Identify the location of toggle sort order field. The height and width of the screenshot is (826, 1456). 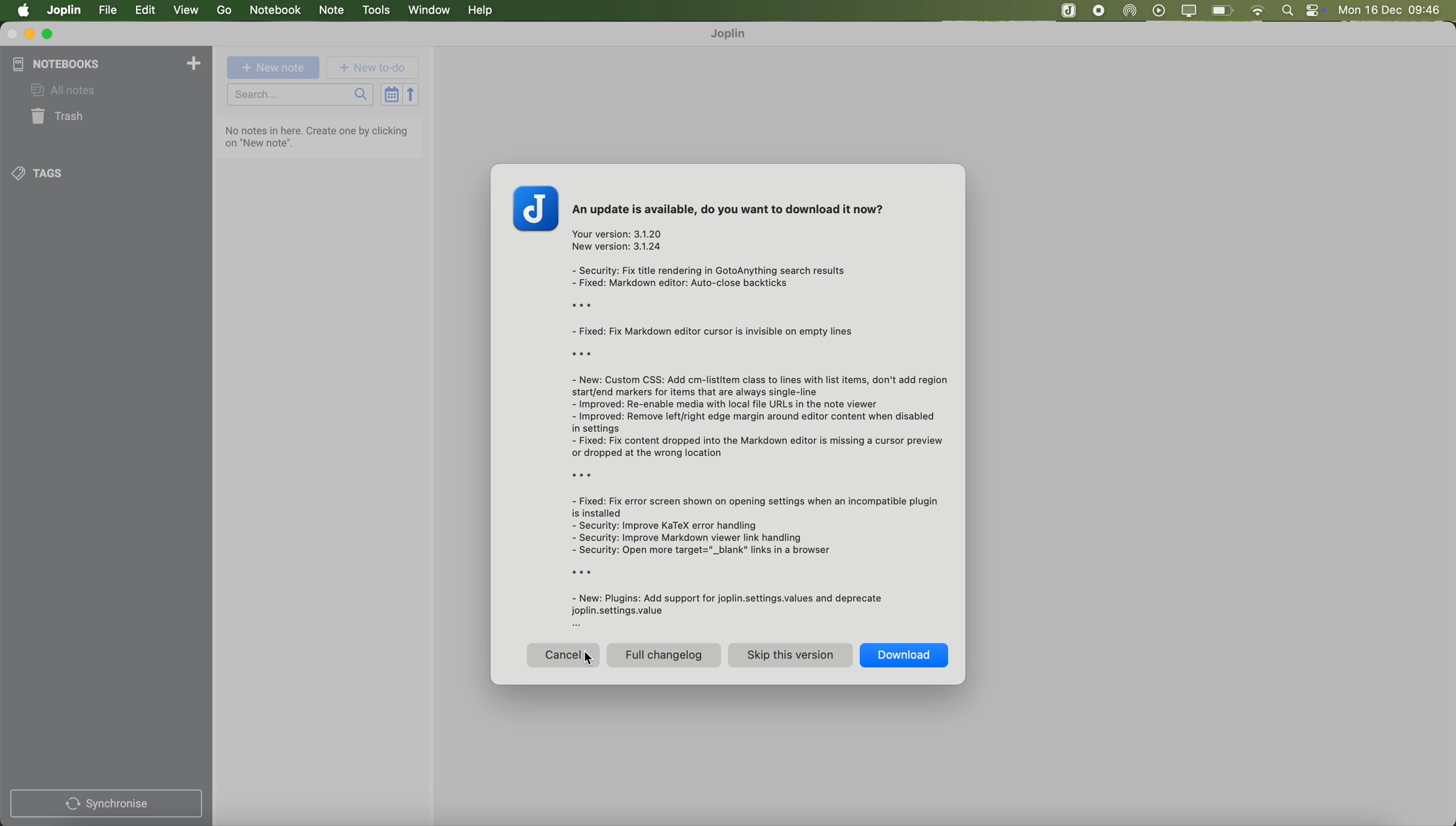
(389, 94).